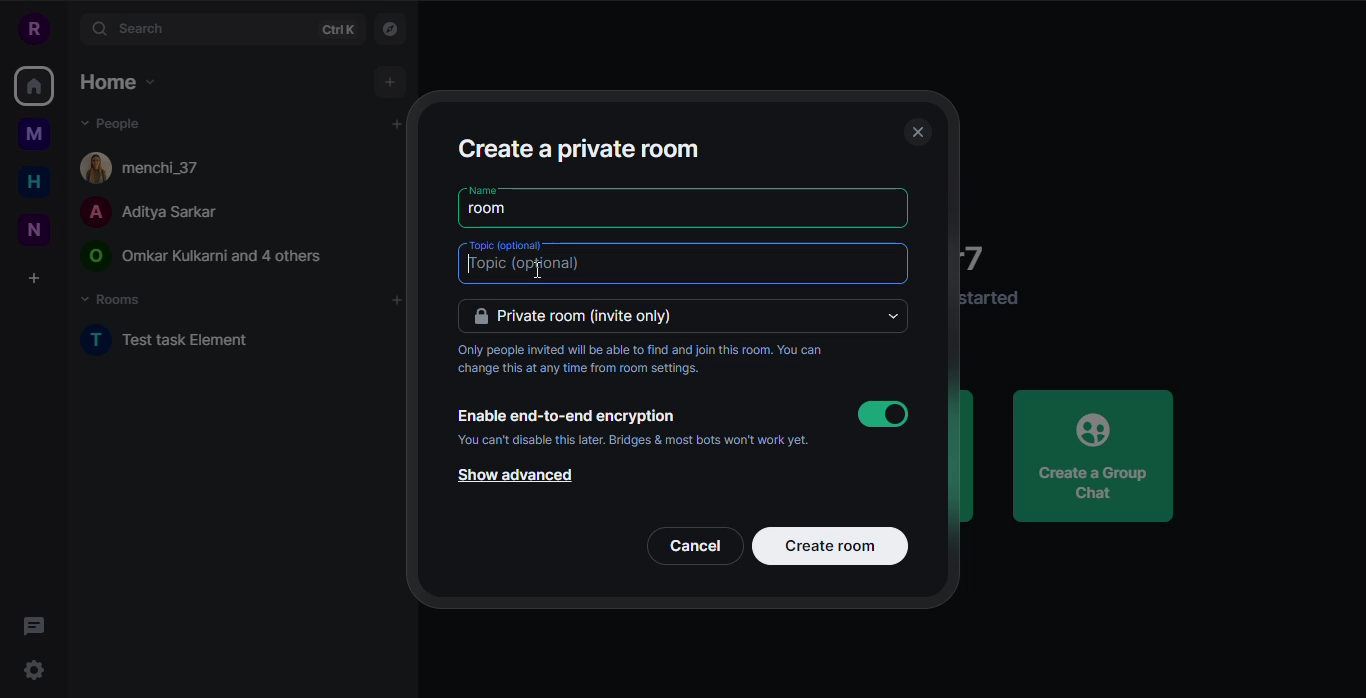  Describe the element at coordinates (916, 133) in the screenshot. I see `close` at that location.